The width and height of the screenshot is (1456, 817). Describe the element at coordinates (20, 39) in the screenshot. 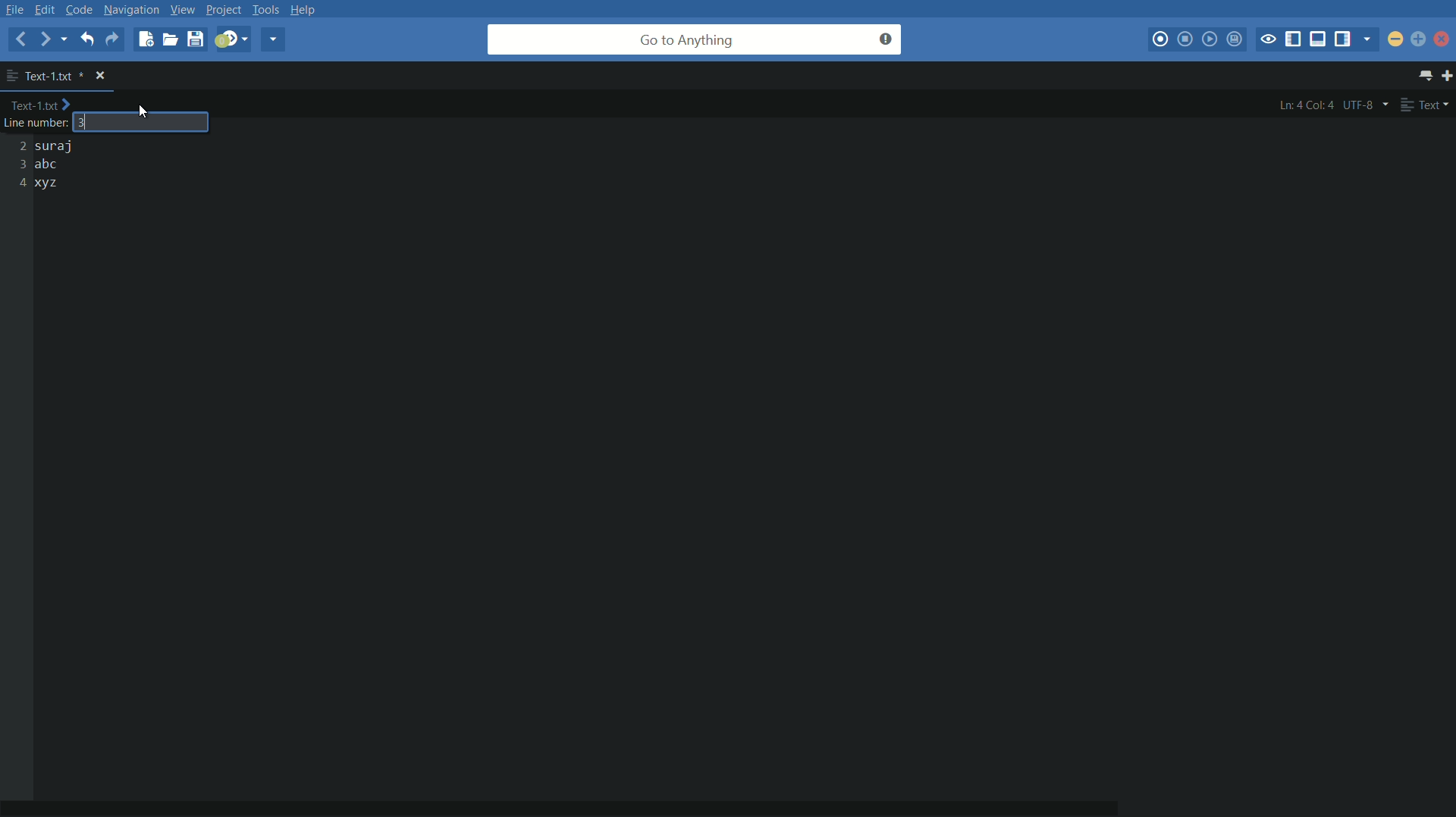

I see `back` at that location.